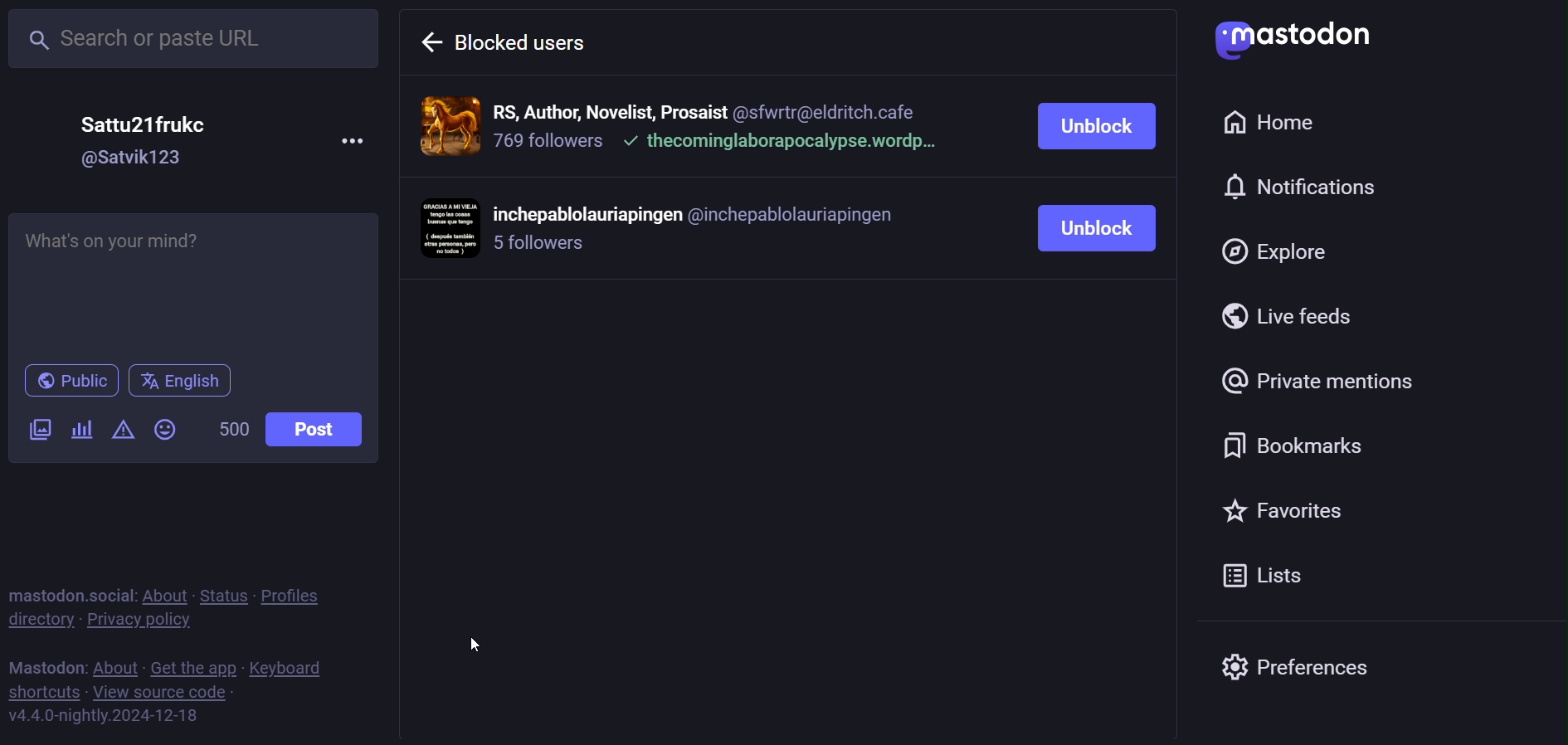  Describe the element at coordinates (115, 716) in the screenshot. I see `V4.4.0-nightly.2024-12-18` at that location.